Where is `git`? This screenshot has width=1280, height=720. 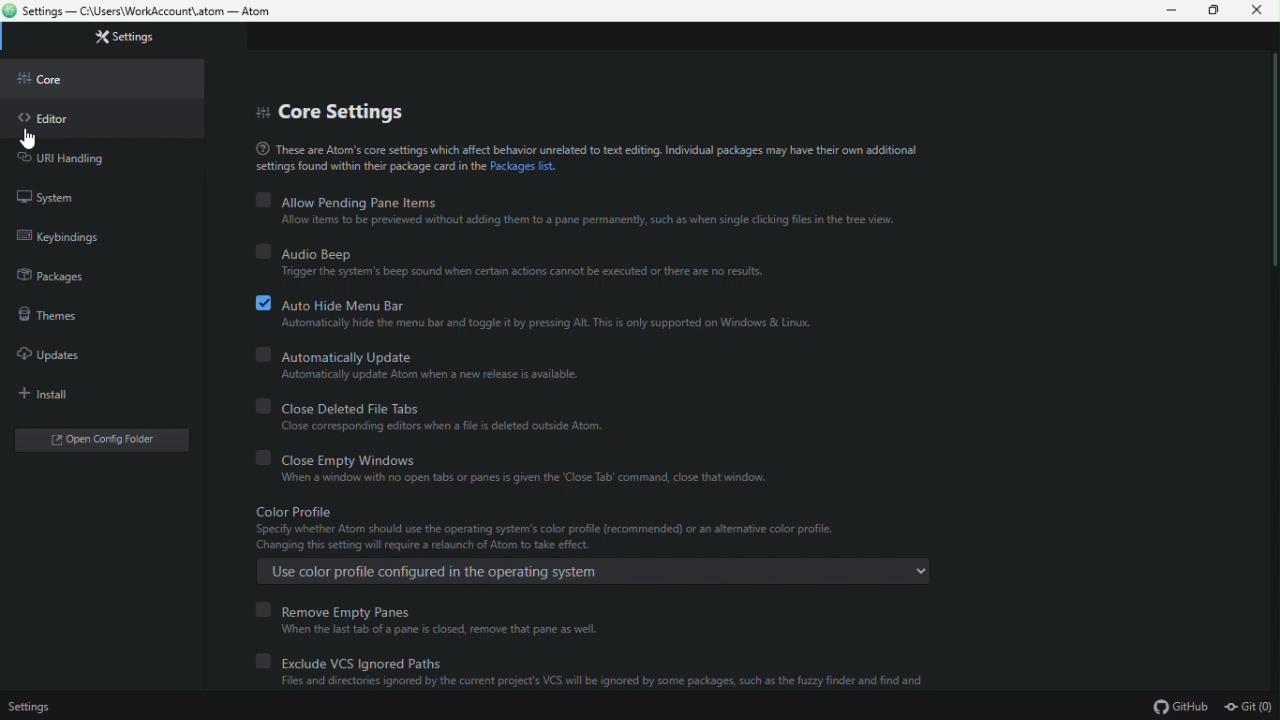
git is located at coordinates (1250, 709).